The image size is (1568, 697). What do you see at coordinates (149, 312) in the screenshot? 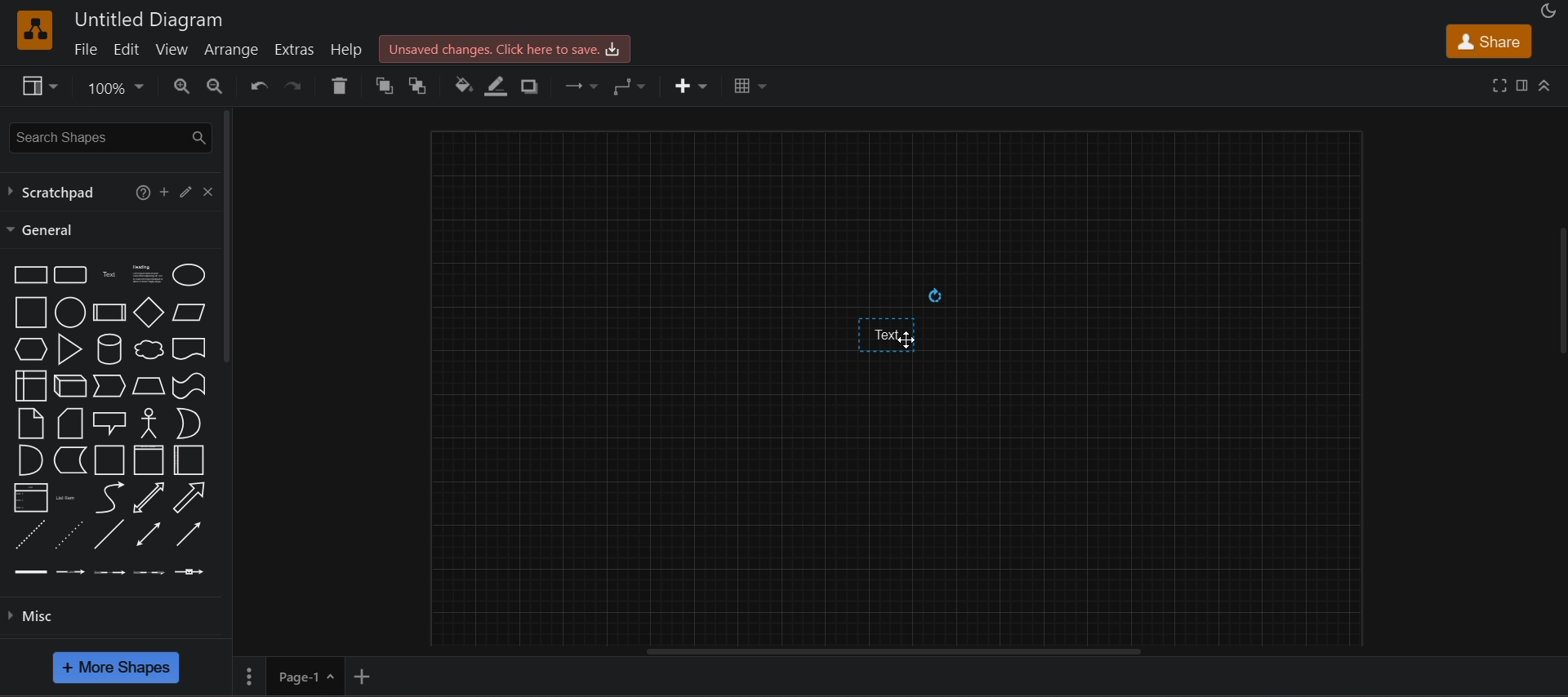
I see `Diamond` at bounding box center [149, 312].